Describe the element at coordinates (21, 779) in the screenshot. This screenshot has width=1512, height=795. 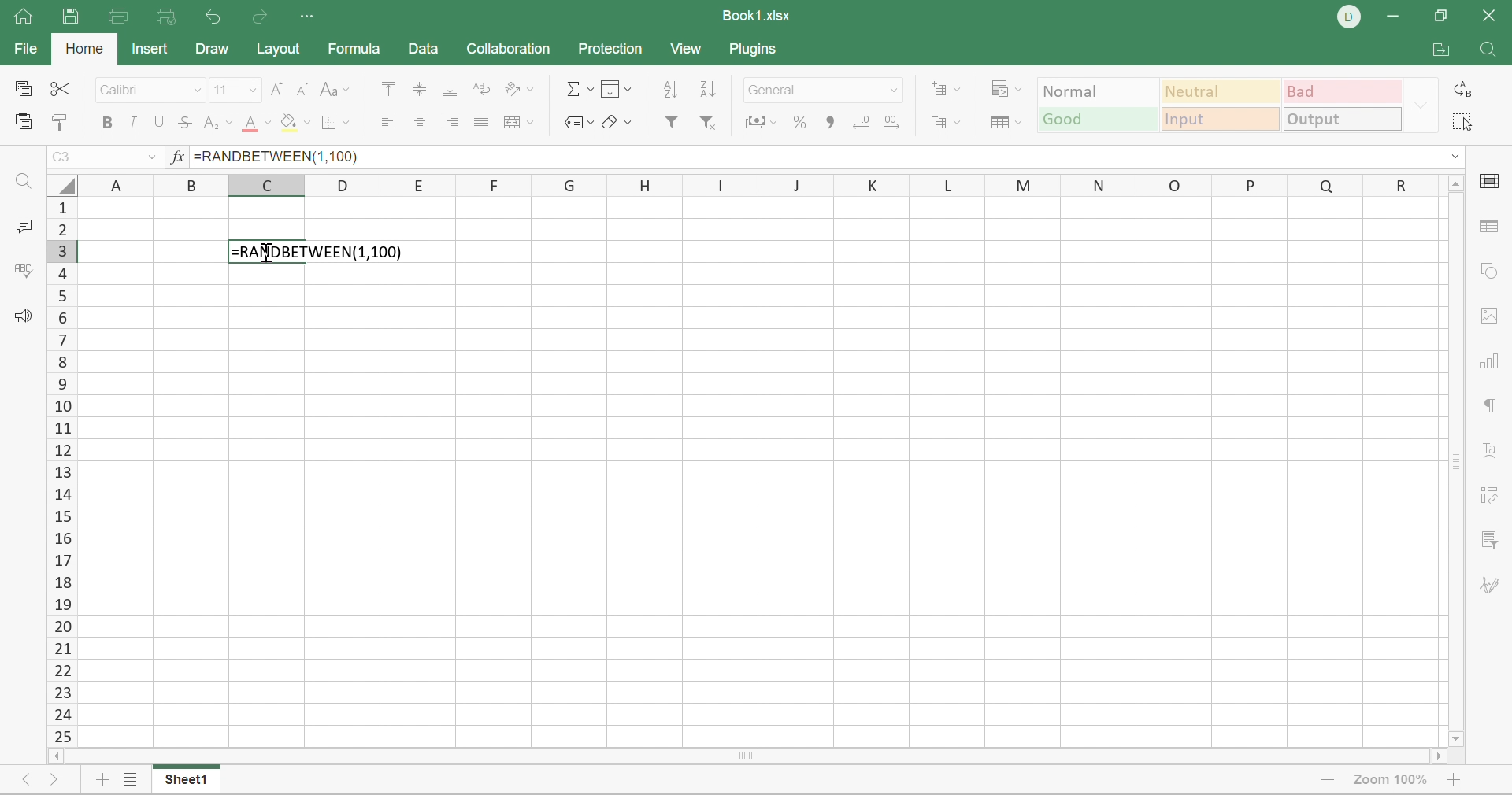
I see `Previous` at that location.